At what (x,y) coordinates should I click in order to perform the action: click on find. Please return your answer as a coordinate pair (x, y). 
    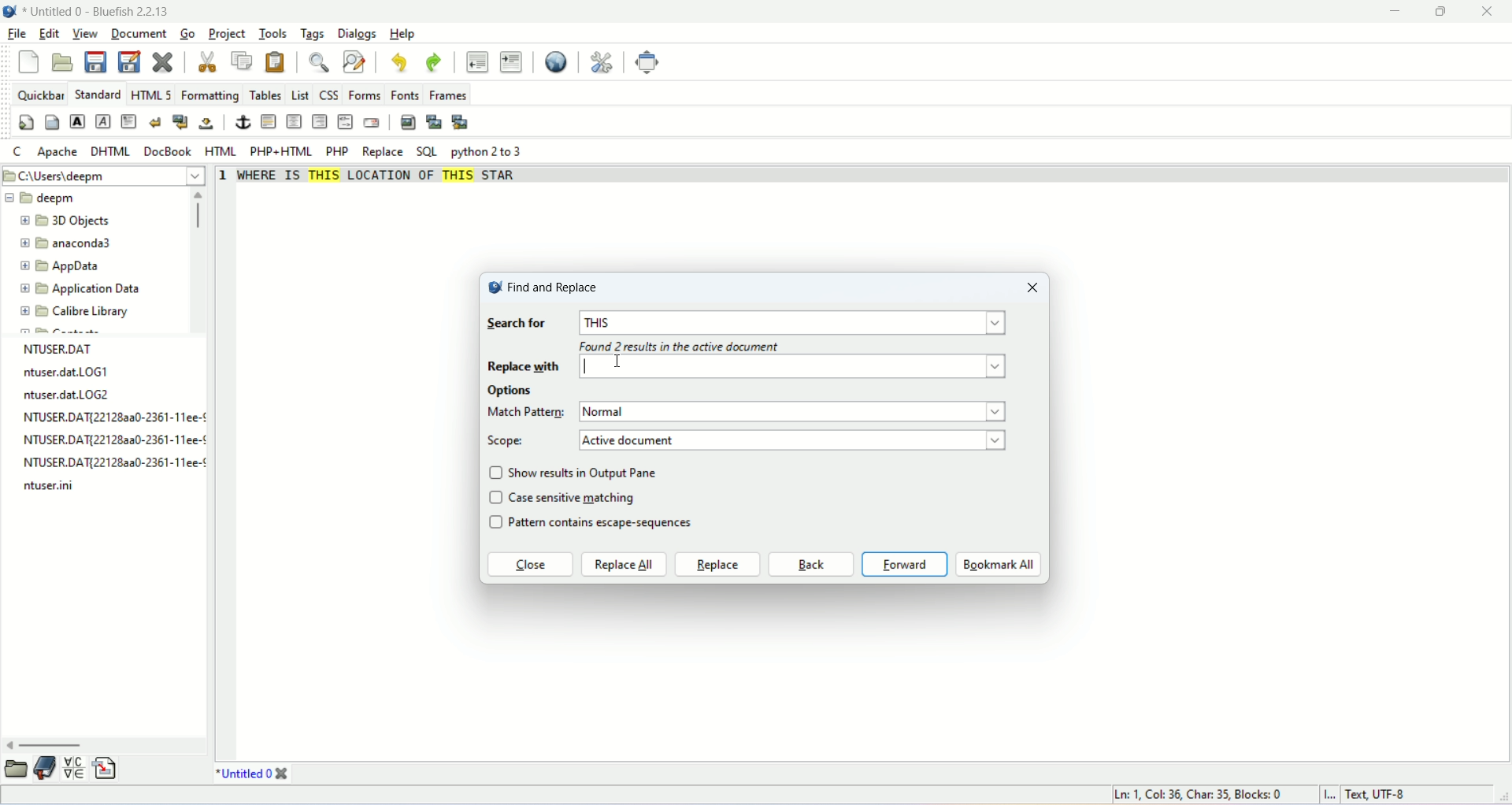
    Looking at the image, I should click on (317, 63).